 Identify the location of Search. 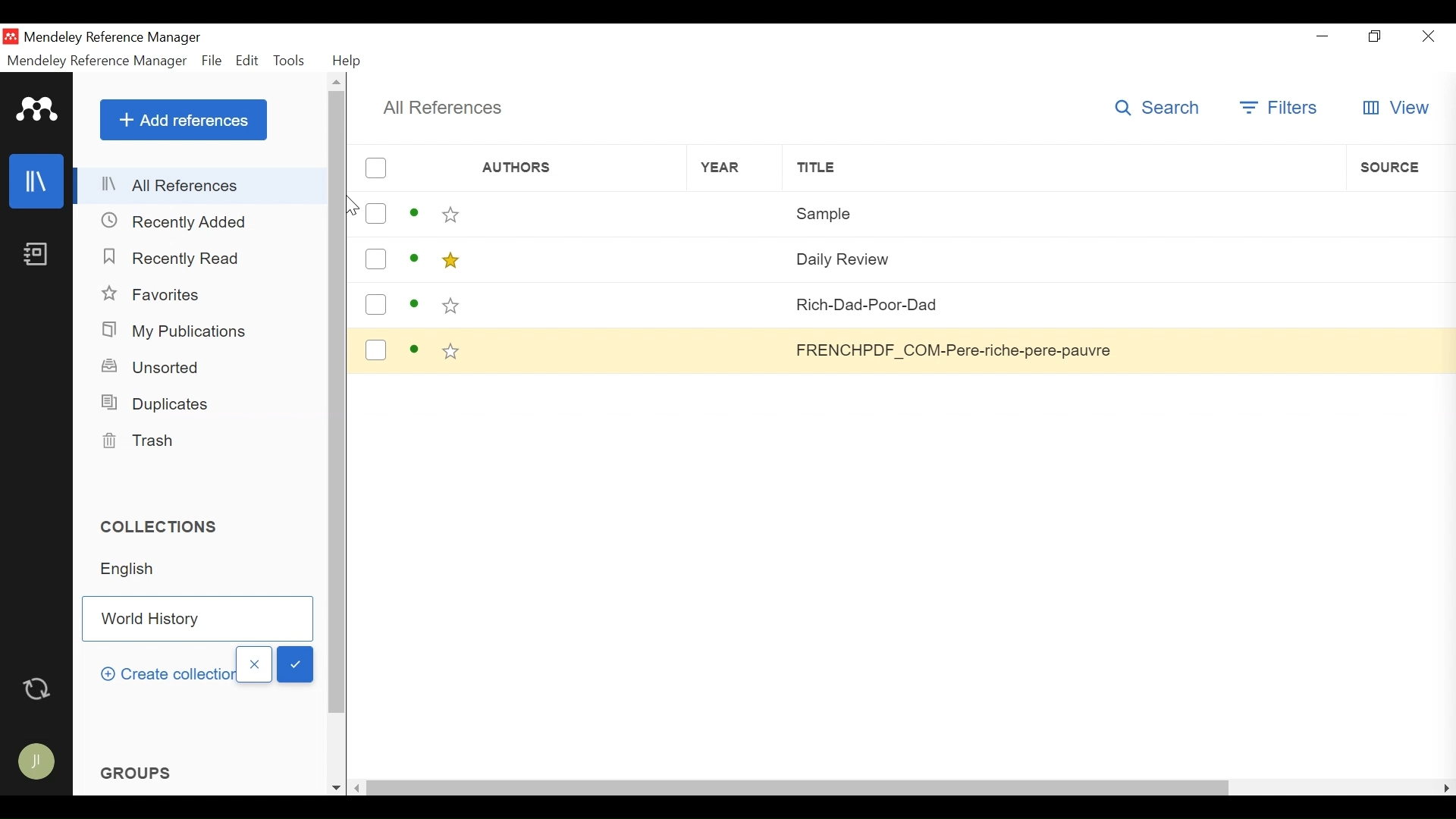
(1163, 107).